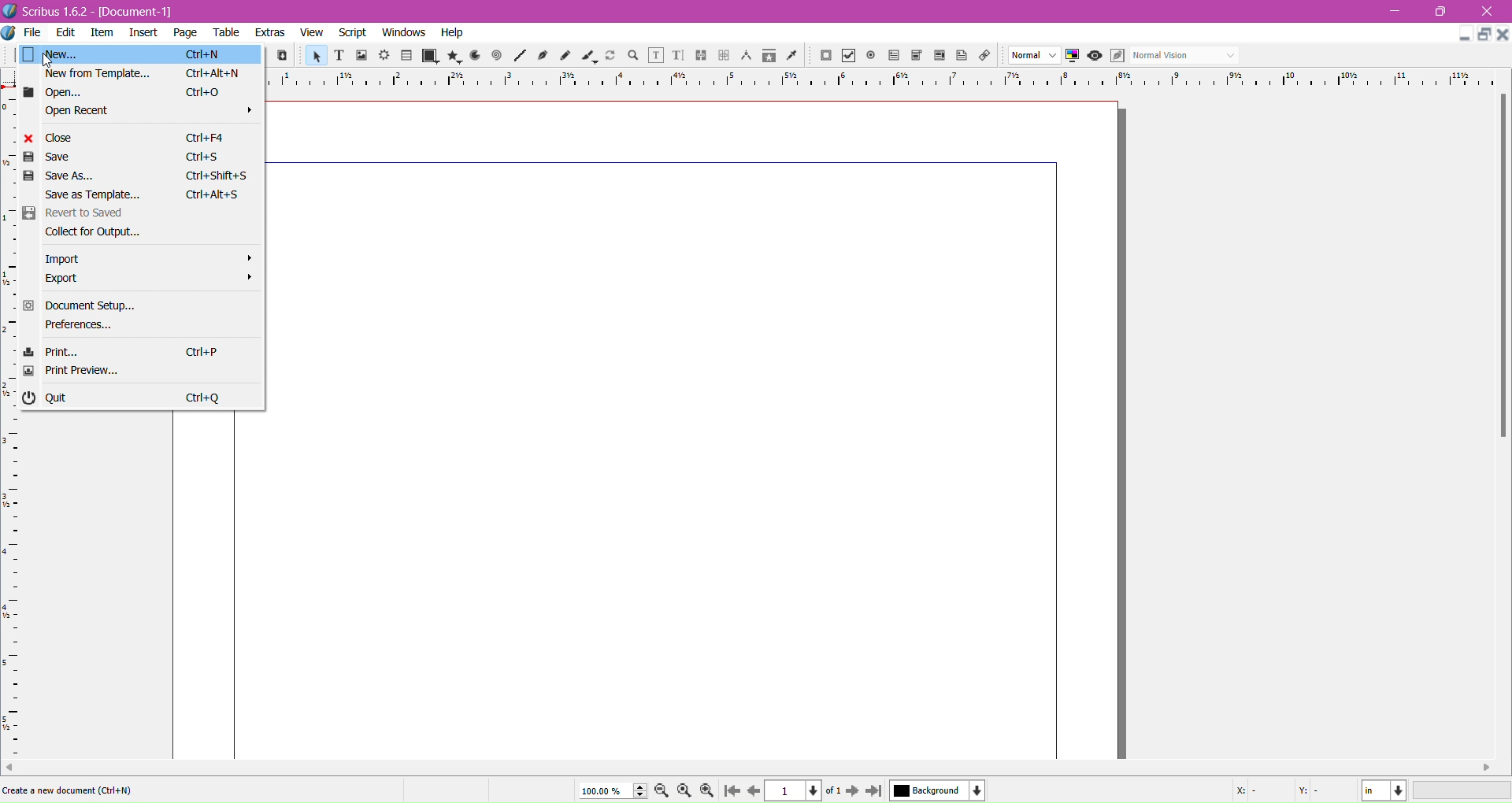 Image resolution: width=1512 pixels, height=803 pixels. Describe the element at coordinates (586, 57) in the screenshot. I see `icon` at that location.